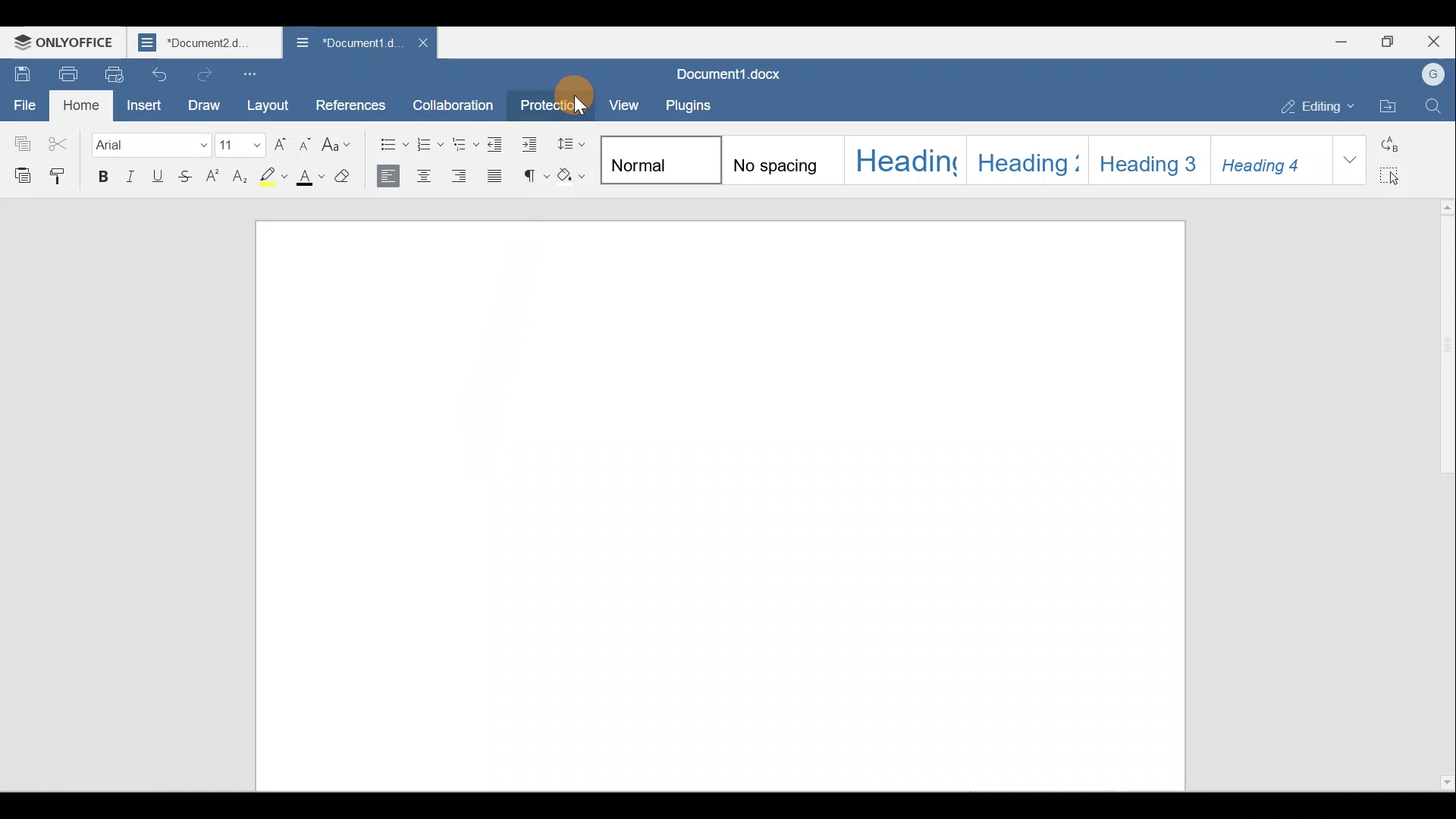 This screenshot has height=819, width=1456. Describe the element at coordinates (117, 73) in the screenshot. I see `Quick print` at that location.